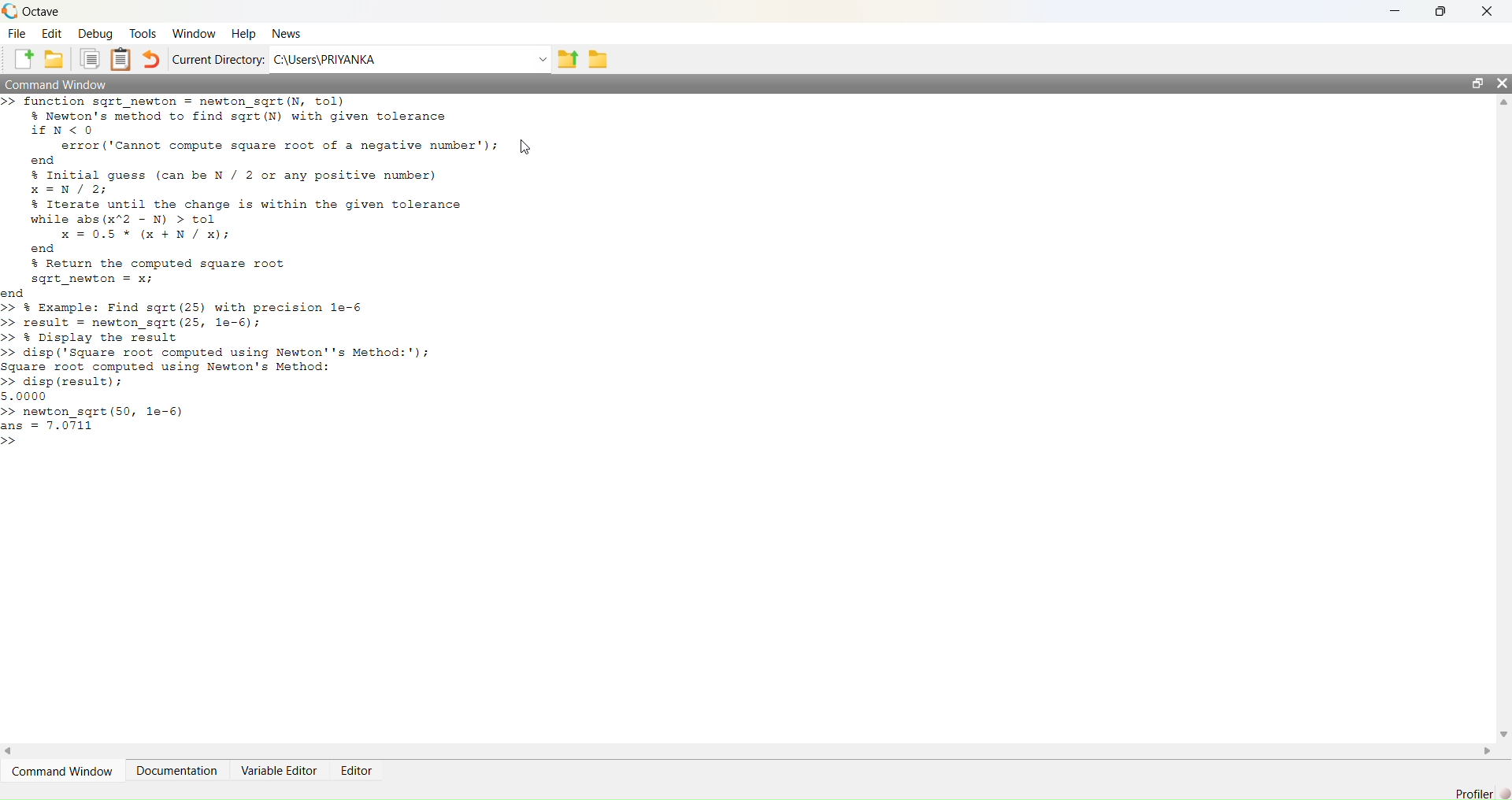  I want to click on Minimize, so click(1392, 11).